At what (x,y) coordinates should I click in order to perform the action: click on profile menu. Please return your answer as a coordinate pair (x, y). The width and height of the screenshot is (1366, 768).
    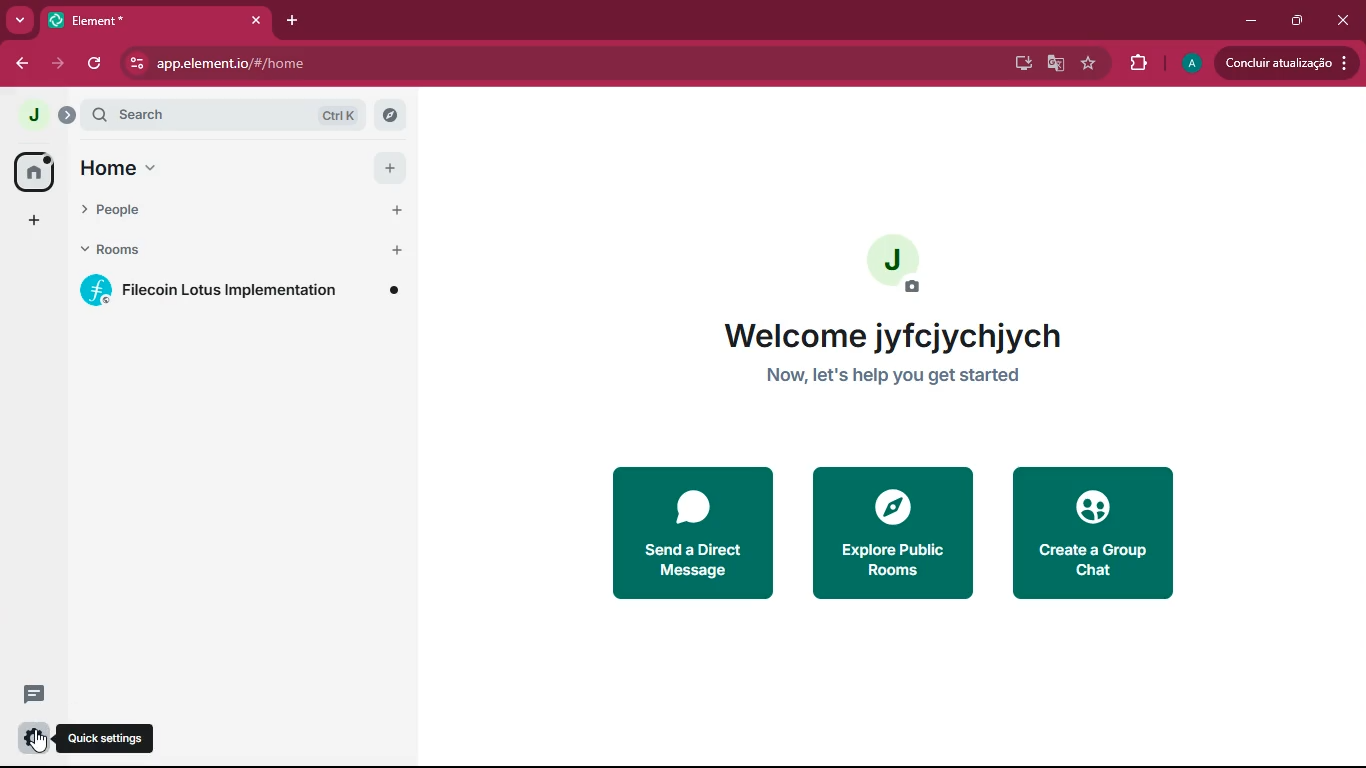
    Looking at the image, I should click on (68, 115).